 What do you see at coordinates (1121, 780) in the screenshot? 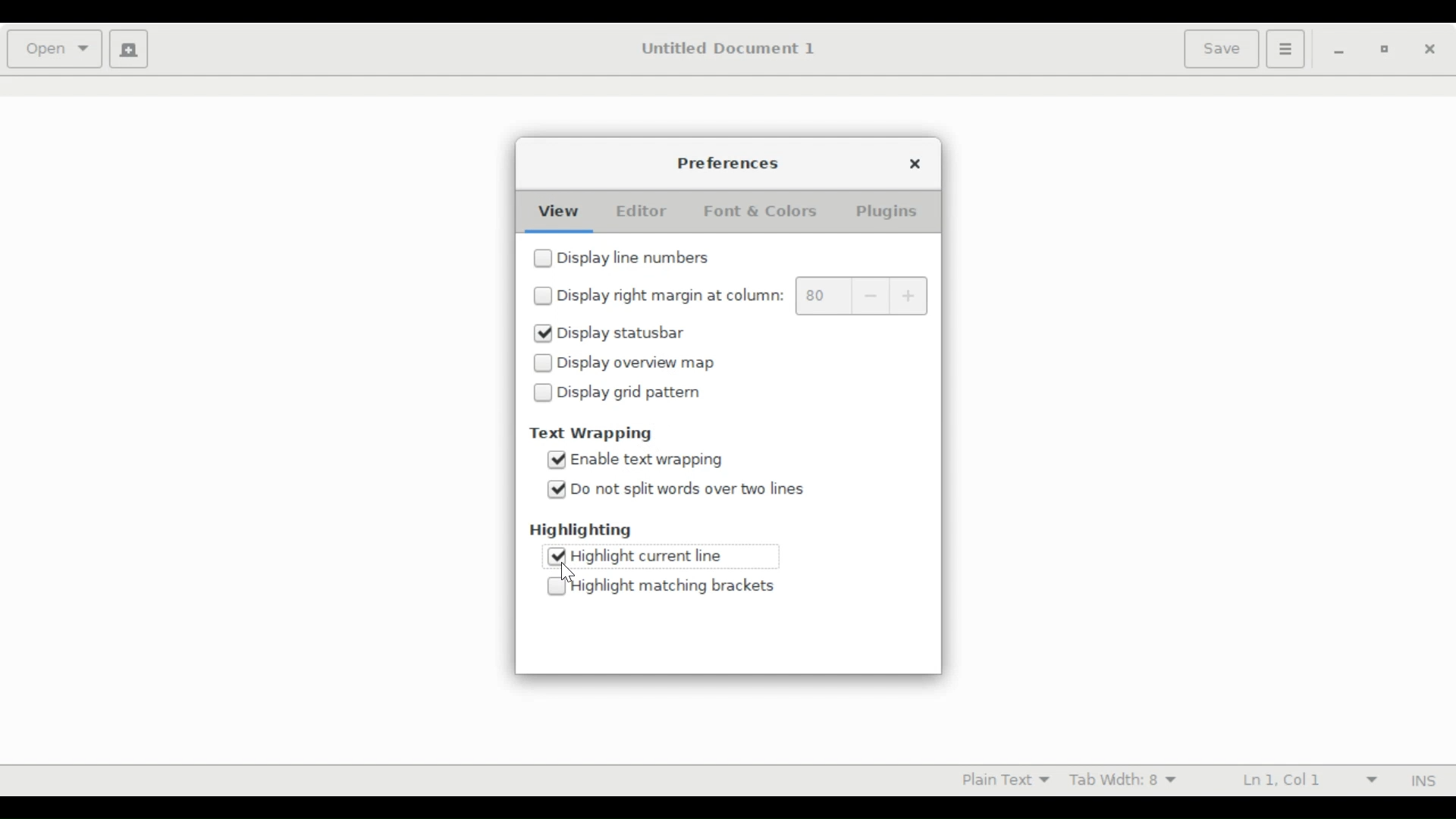
I see `Tab Width` at bounding box center [1121, 780].